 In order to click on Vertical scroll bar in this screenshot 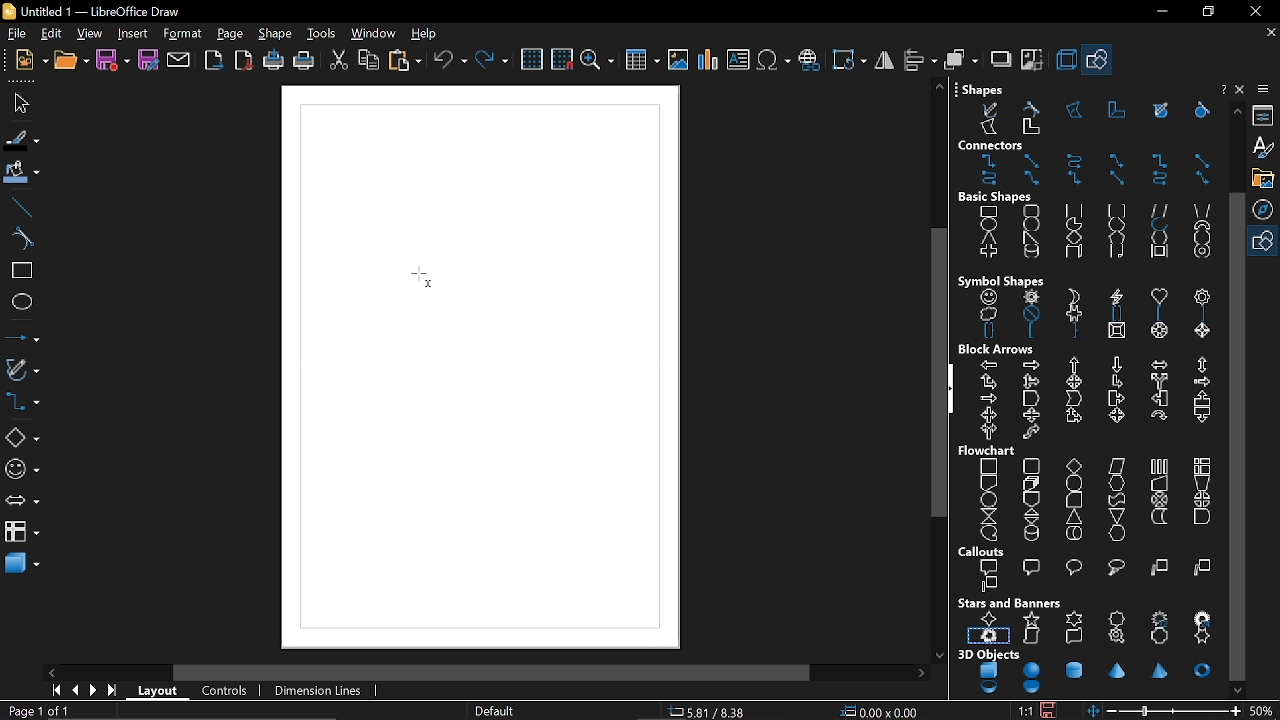, I will do `click(935, 370)`.